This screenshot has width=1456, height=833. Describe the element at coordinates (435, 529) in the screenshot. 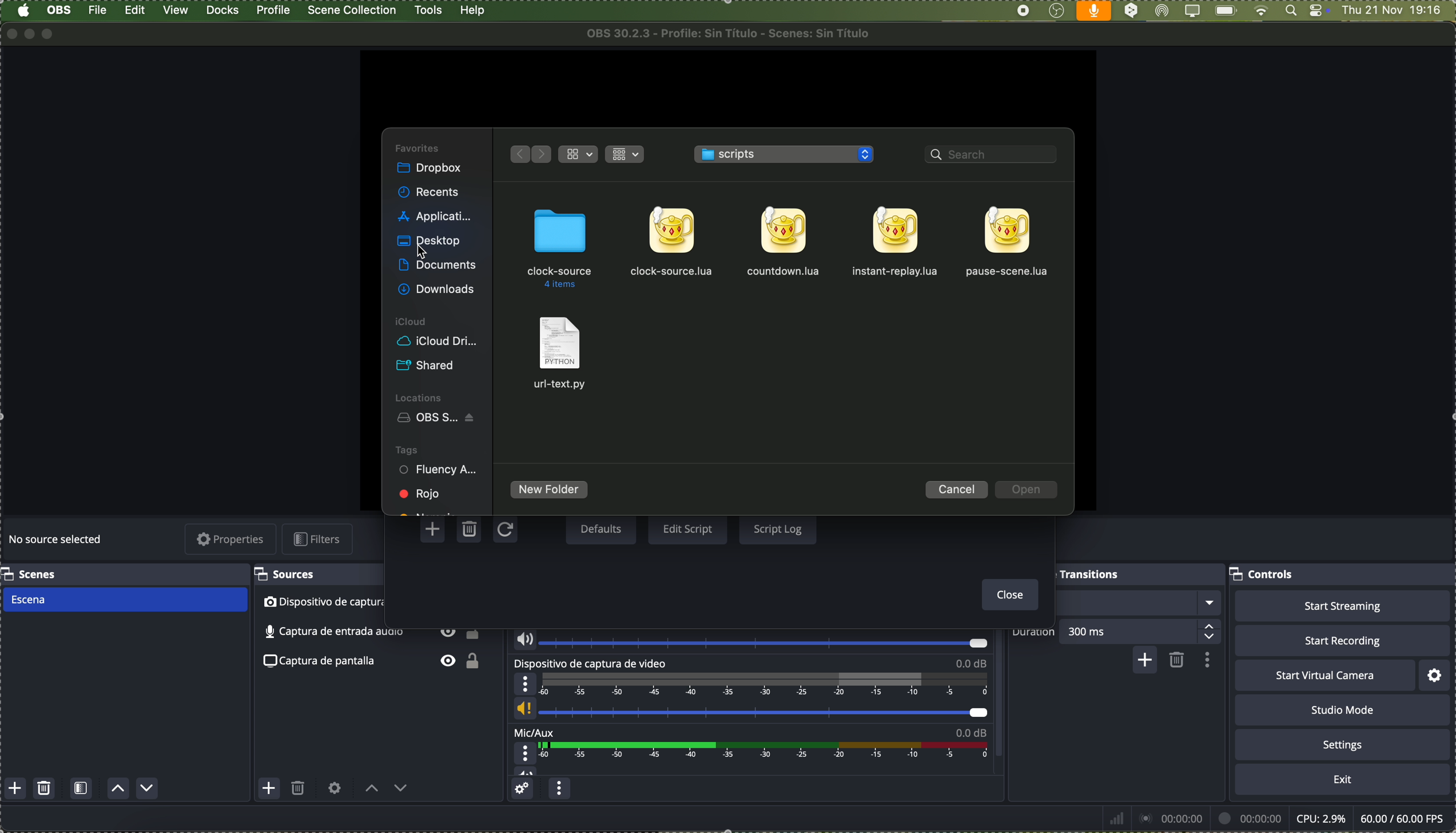

I see `click on add script` at that location.